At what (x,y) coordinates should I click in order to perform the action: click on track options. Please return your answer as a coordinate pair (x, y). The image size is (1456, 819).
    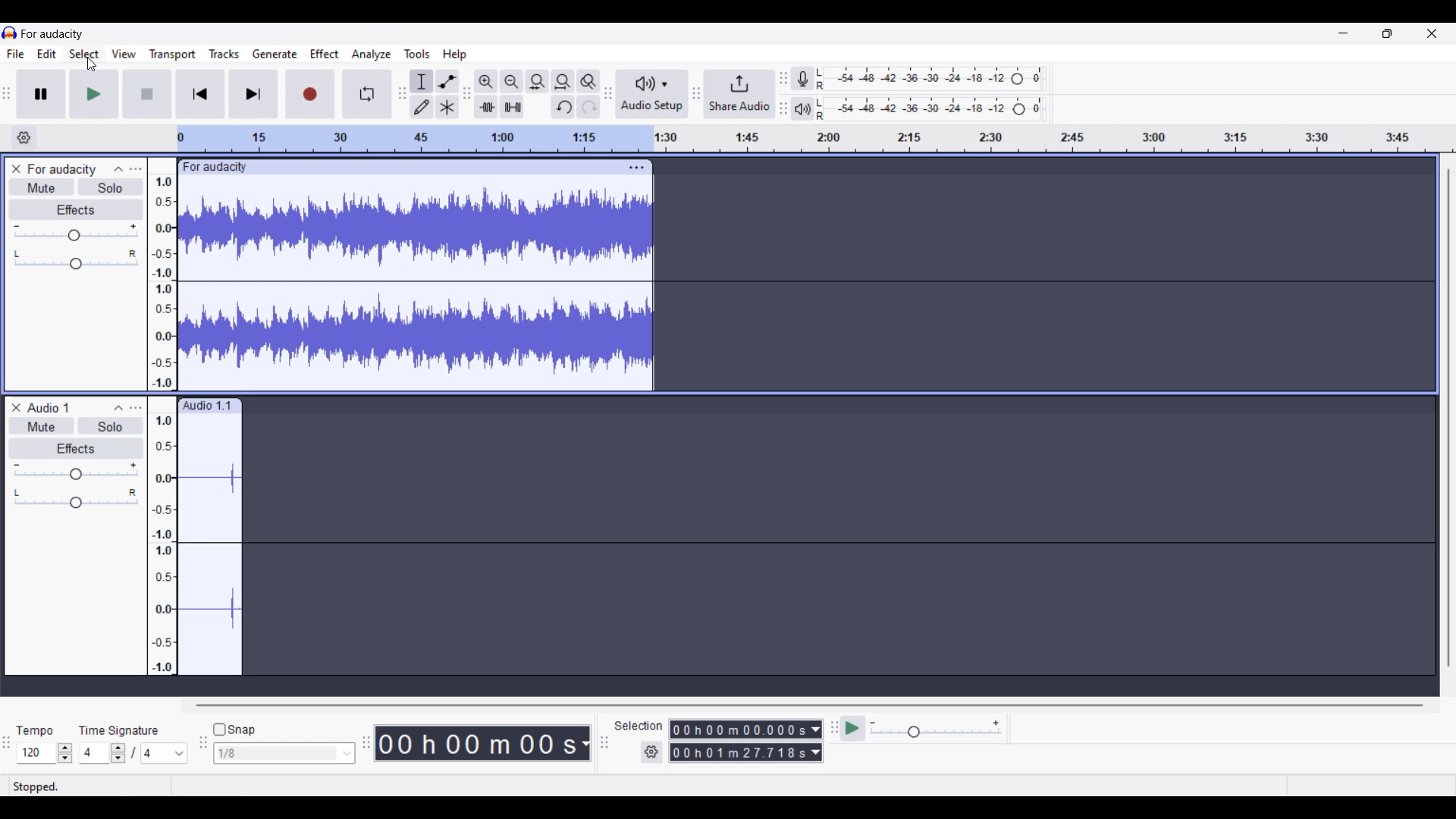
    Looking at the image, I should click on (635, 168).